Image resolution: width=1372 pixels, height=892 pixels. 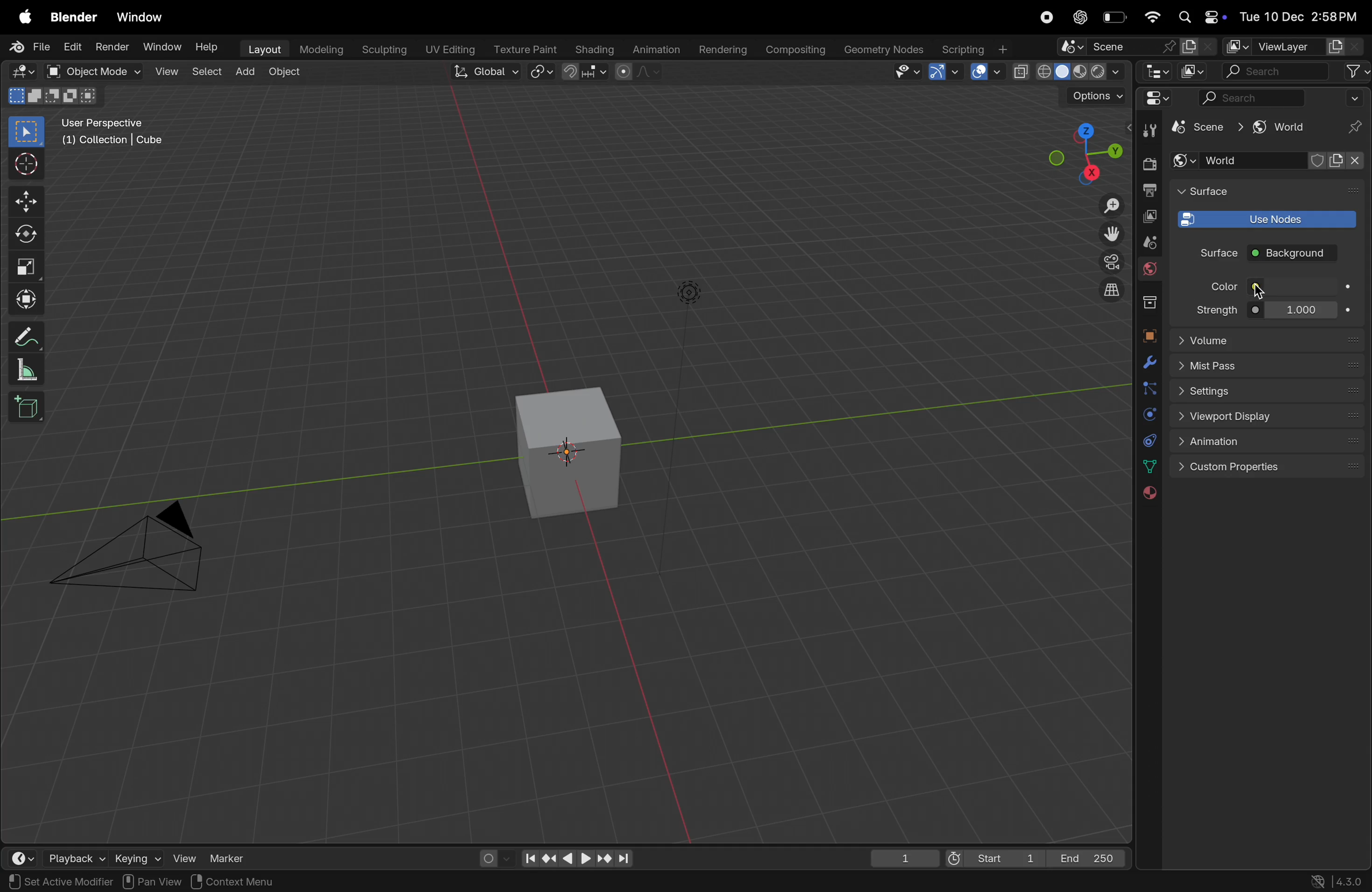 What do you see at coordinates (74, 858) in the screenshot?
I see `` at bounding box center [74, 858].